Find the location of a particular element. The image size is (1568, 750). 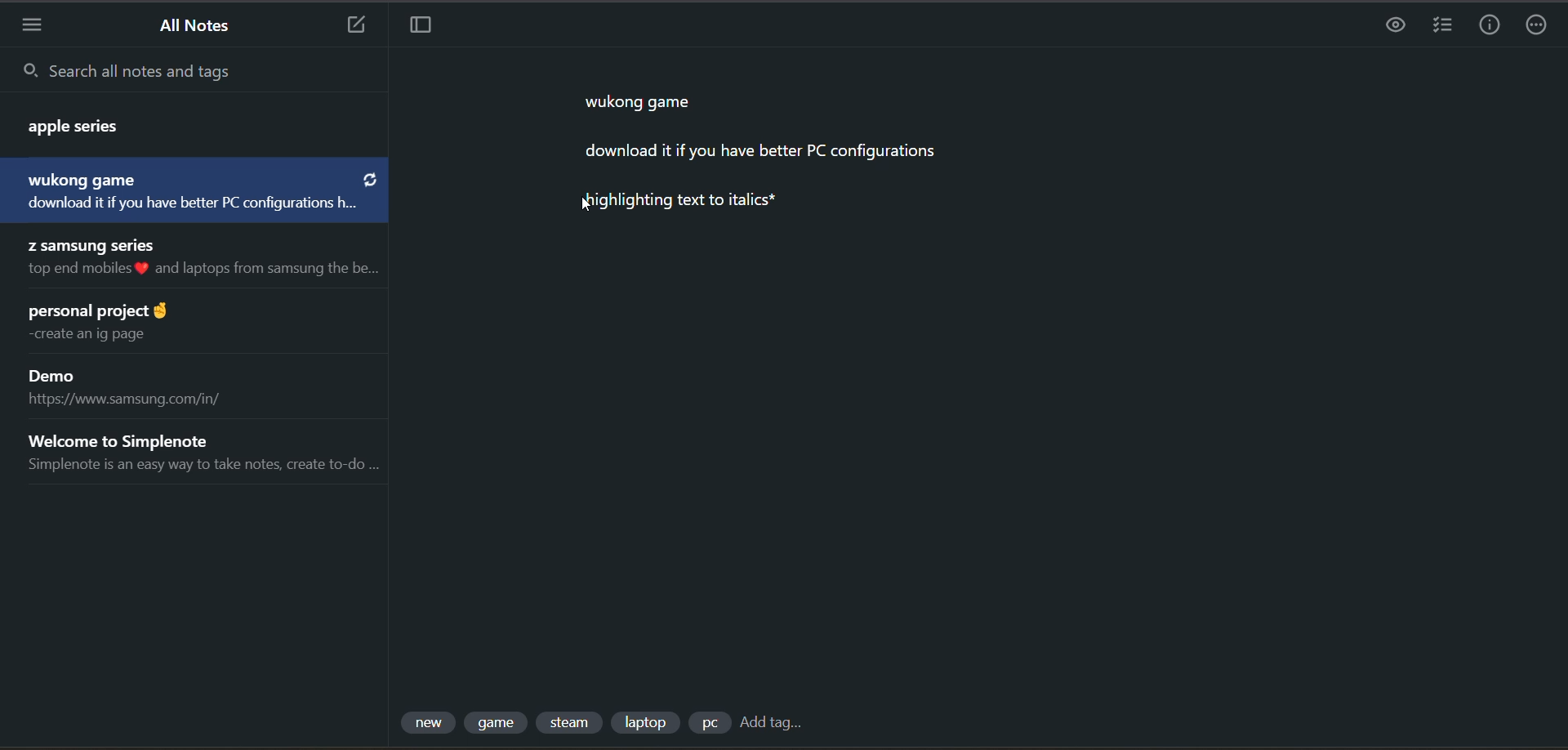

toggle focus mode is located at coordinates (421, 27).